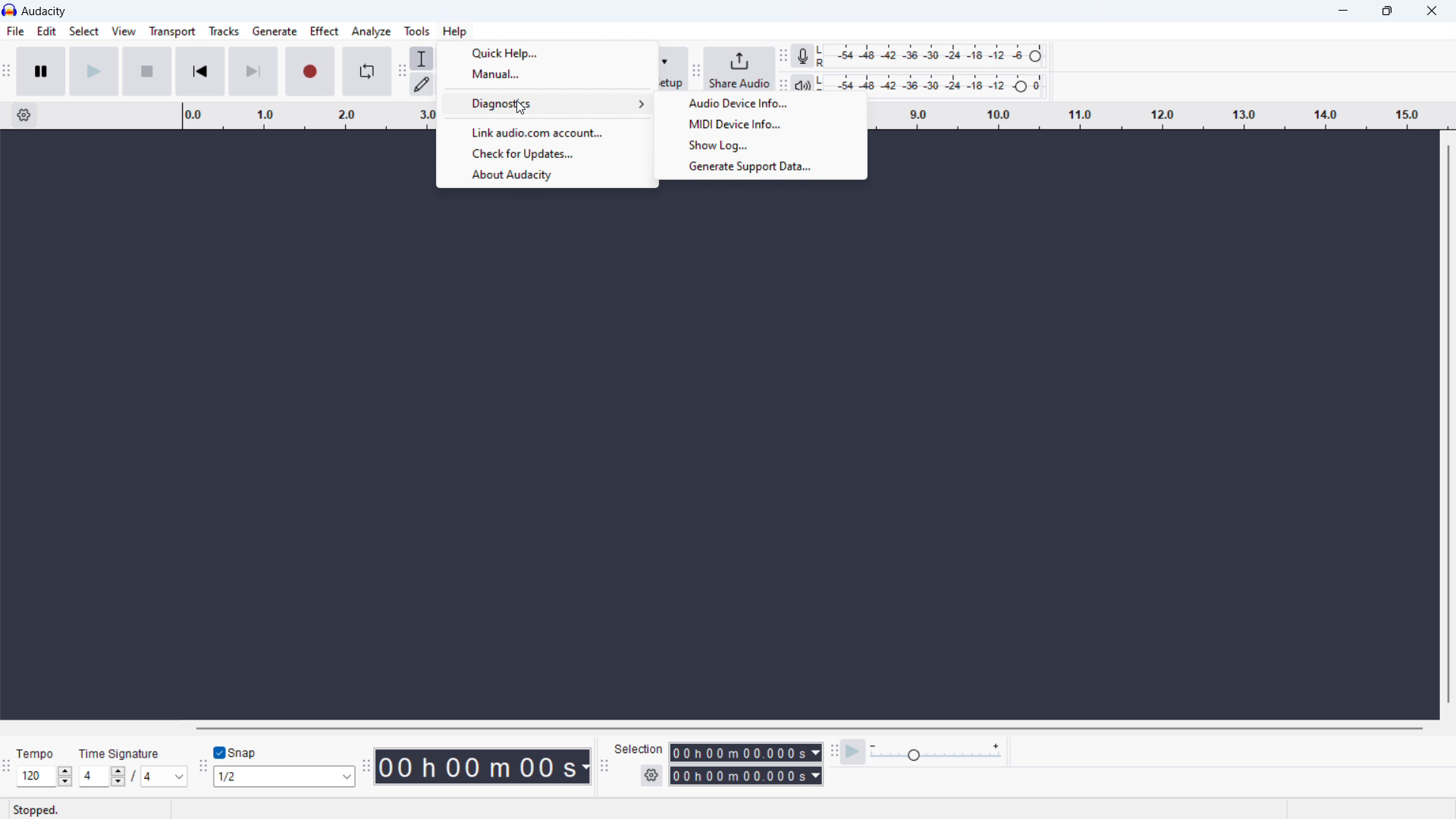  I want to click on stop, so click(146, 71).